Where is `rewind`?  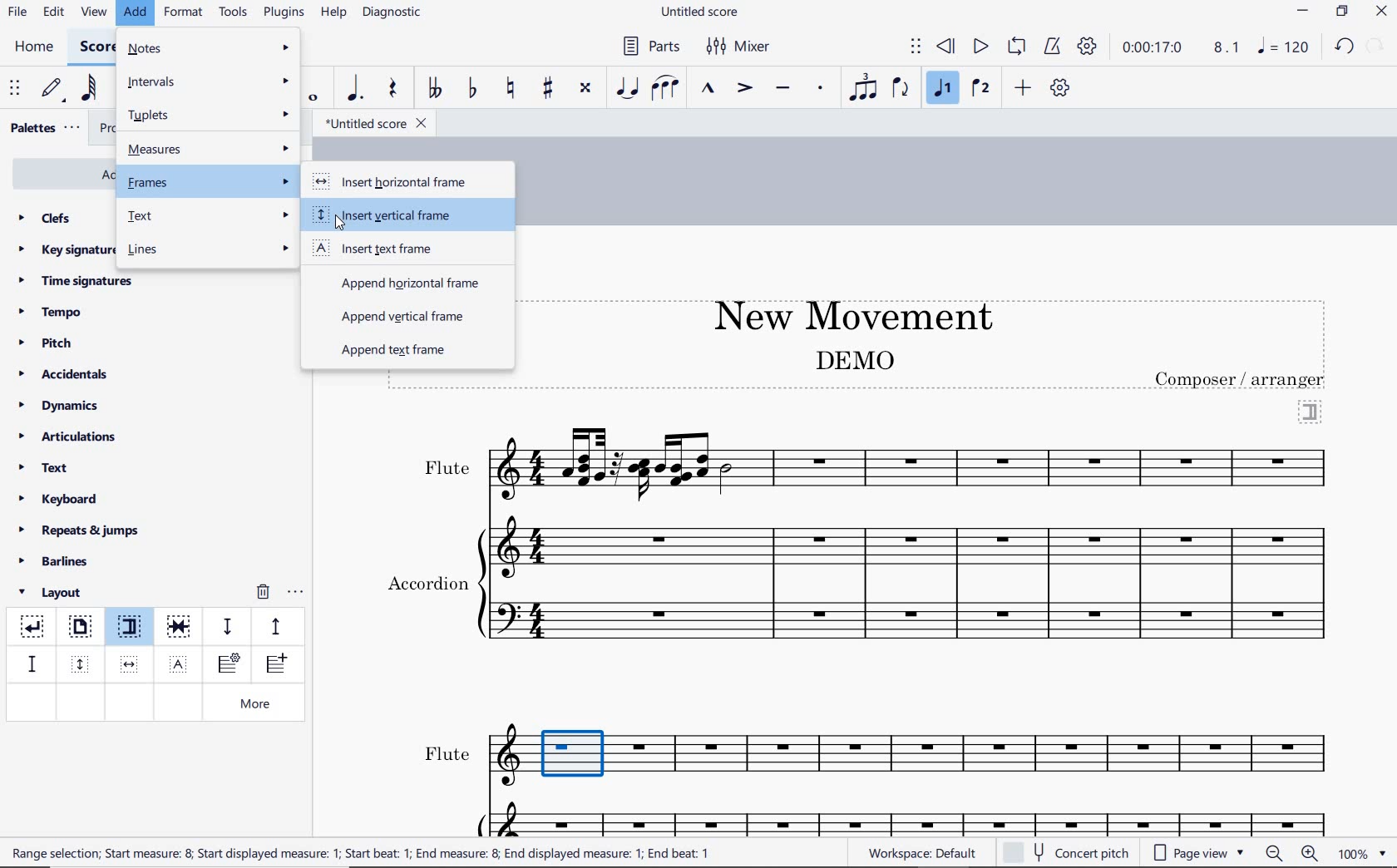
rewind is located at coordinates (947, 47).